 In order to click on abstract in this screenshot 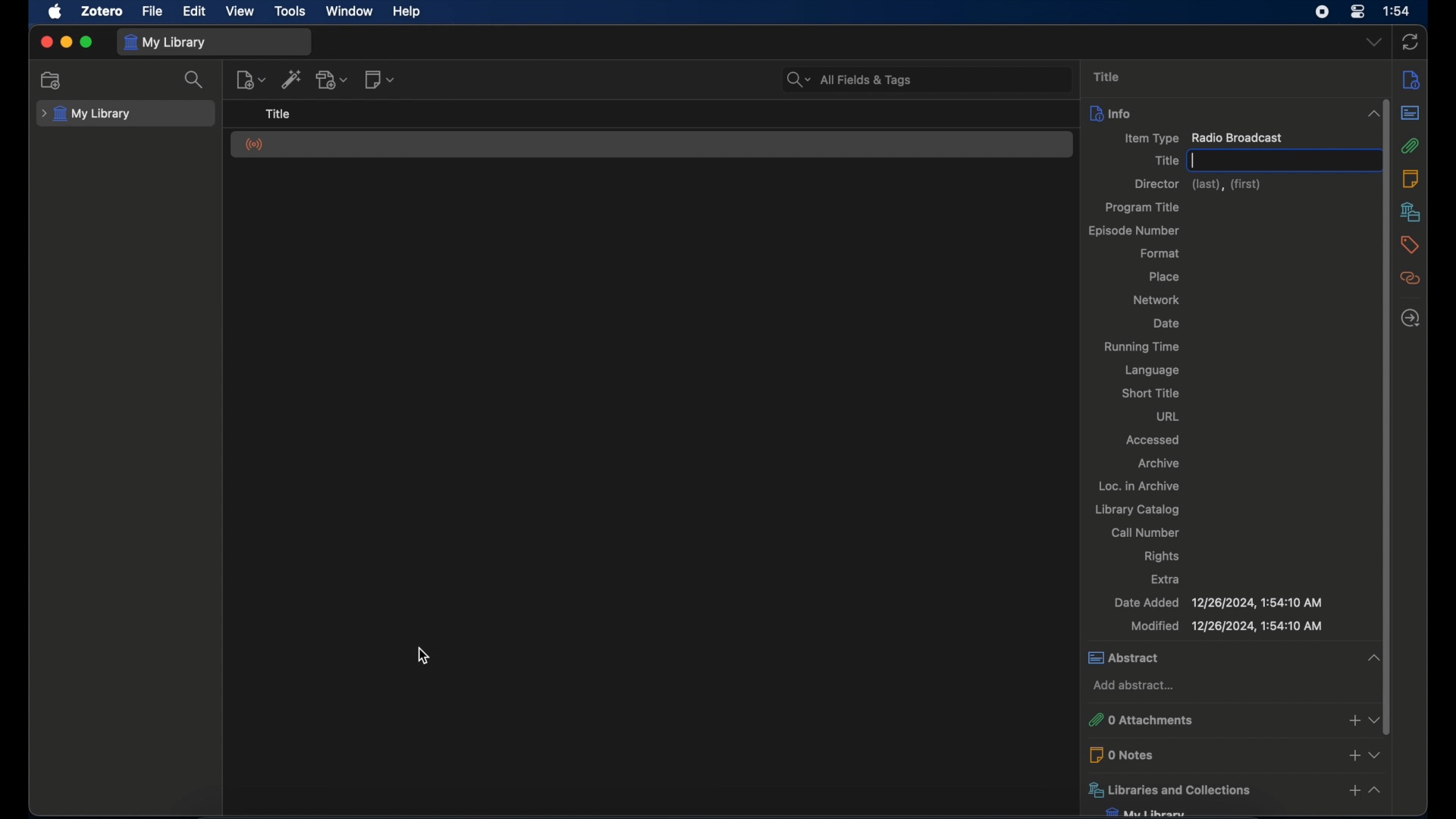, I will do `click(1411, 113)`.